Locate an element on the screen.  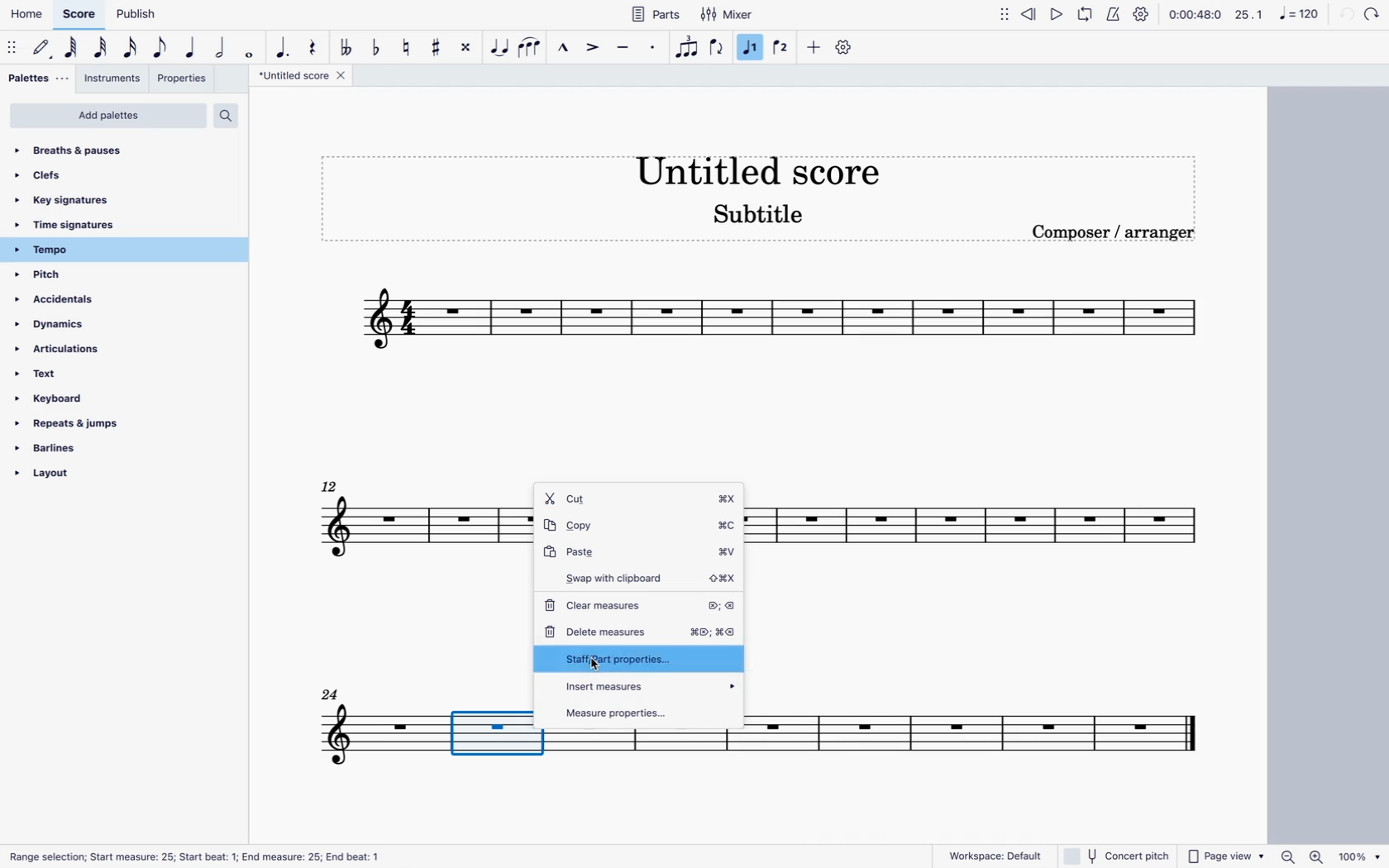
page view is located at coordinates (1226, 856).